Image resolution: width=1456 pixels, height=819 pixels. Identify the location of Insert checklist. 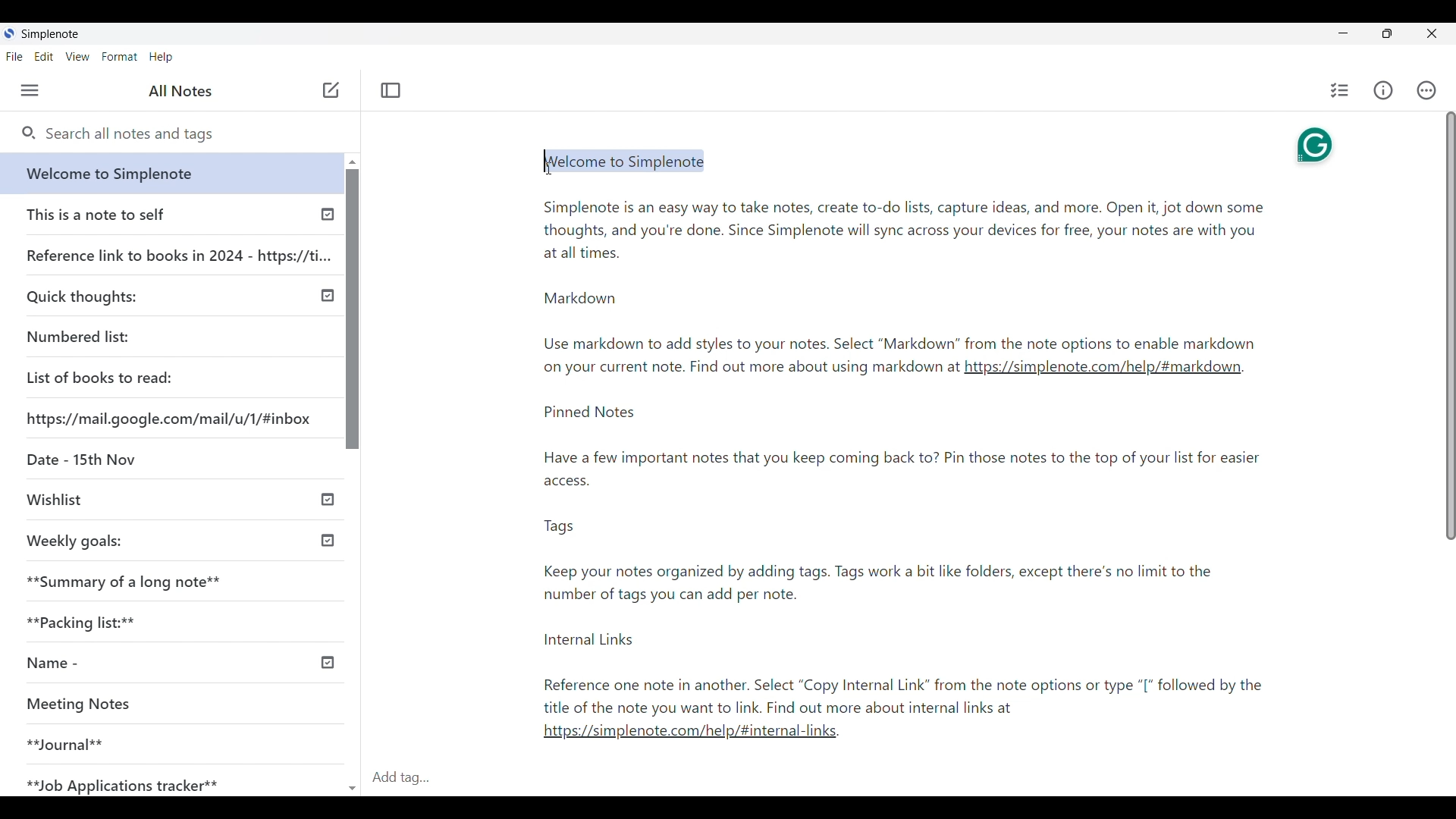
(1340, 90).